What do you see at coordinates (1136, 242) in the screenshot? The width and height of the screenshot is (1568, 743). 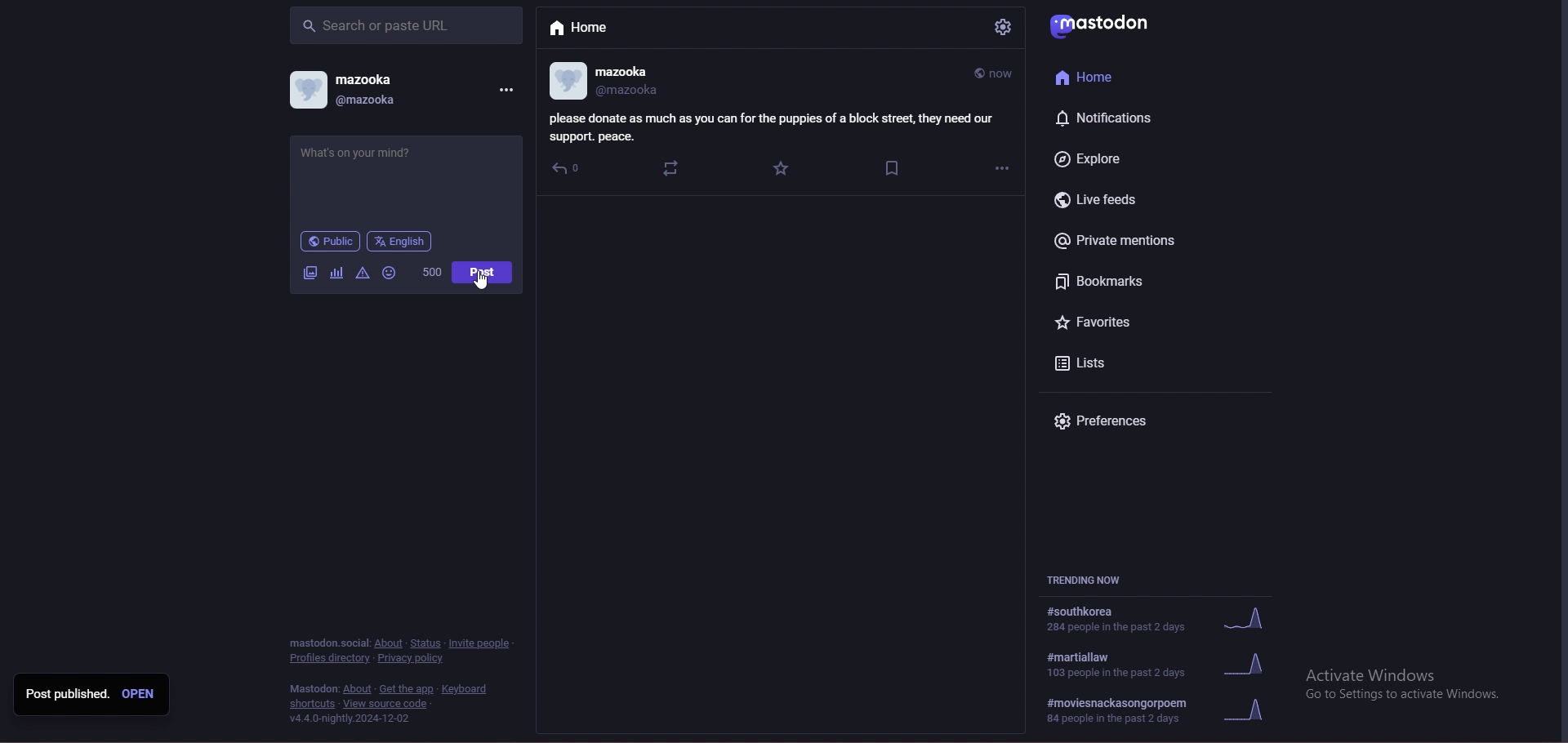 I see `private mentions` at bounding box center [1136, 242].